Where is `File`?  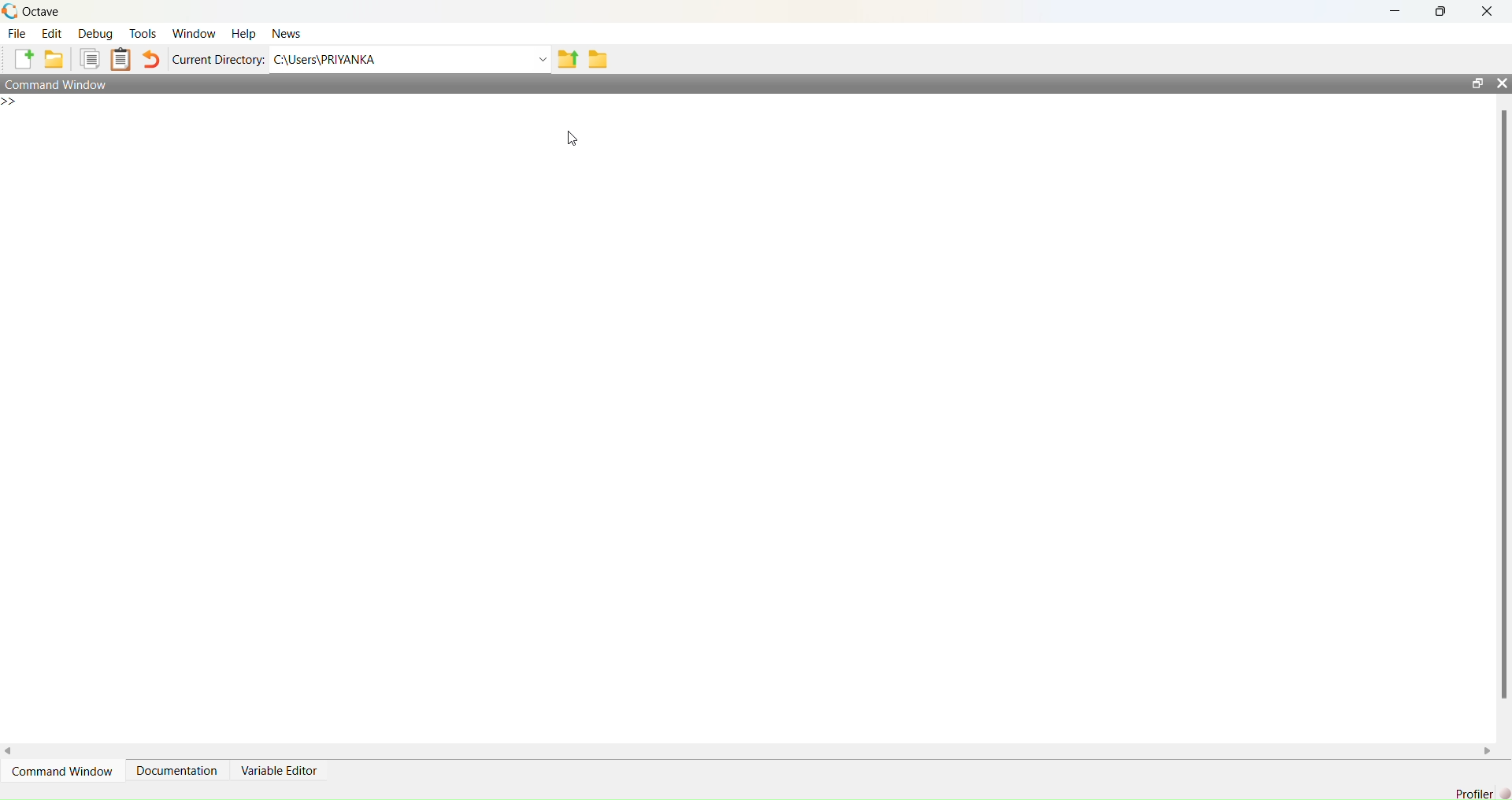
File is located at coordinates (18, 33).